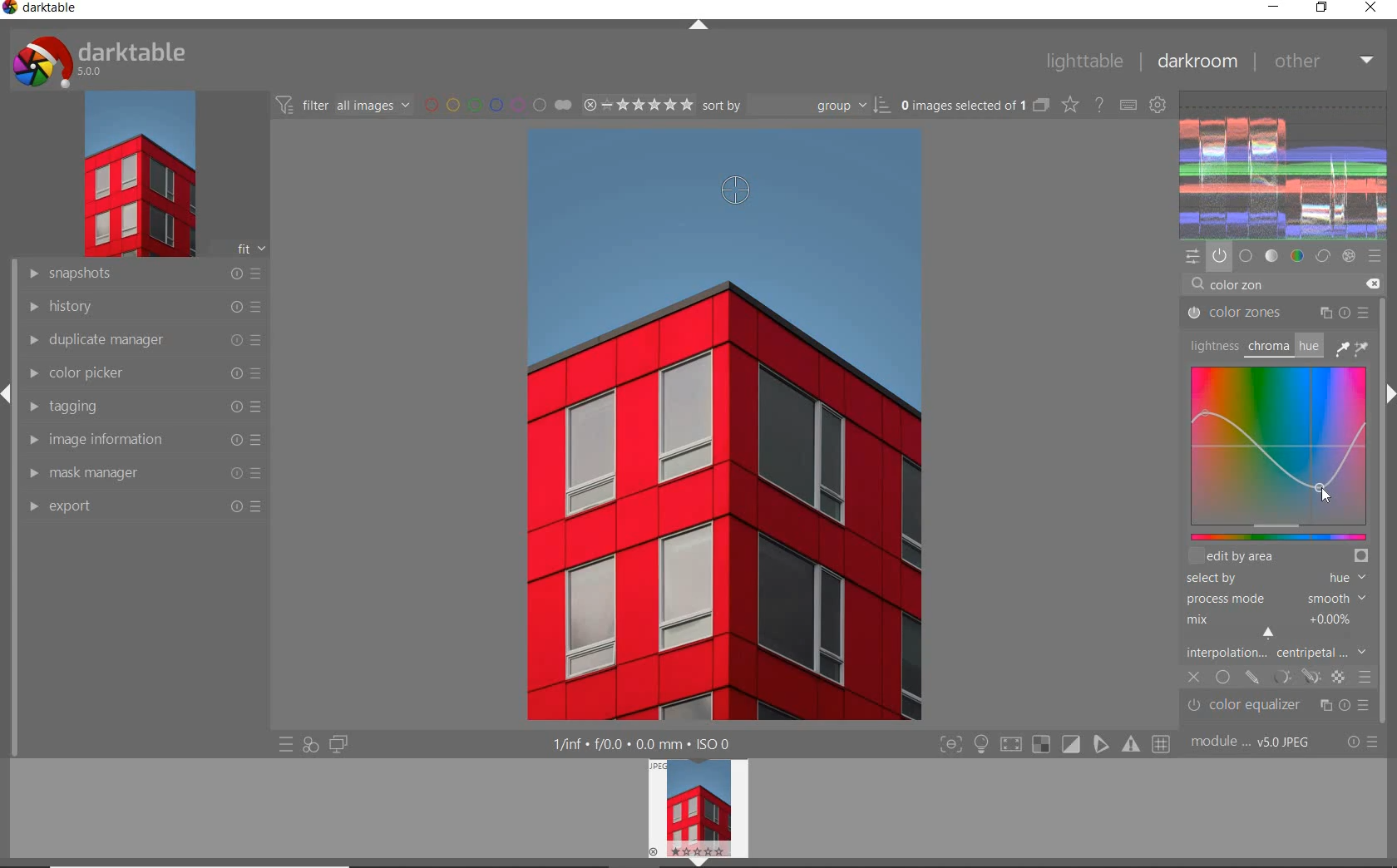 Image resolution: width=1397 pixels, height=868 pixels. What do you see at coordinates (1278, 313) in the screenshot?
I see `COLOR ZONES` at bounding box center [1278, 313].